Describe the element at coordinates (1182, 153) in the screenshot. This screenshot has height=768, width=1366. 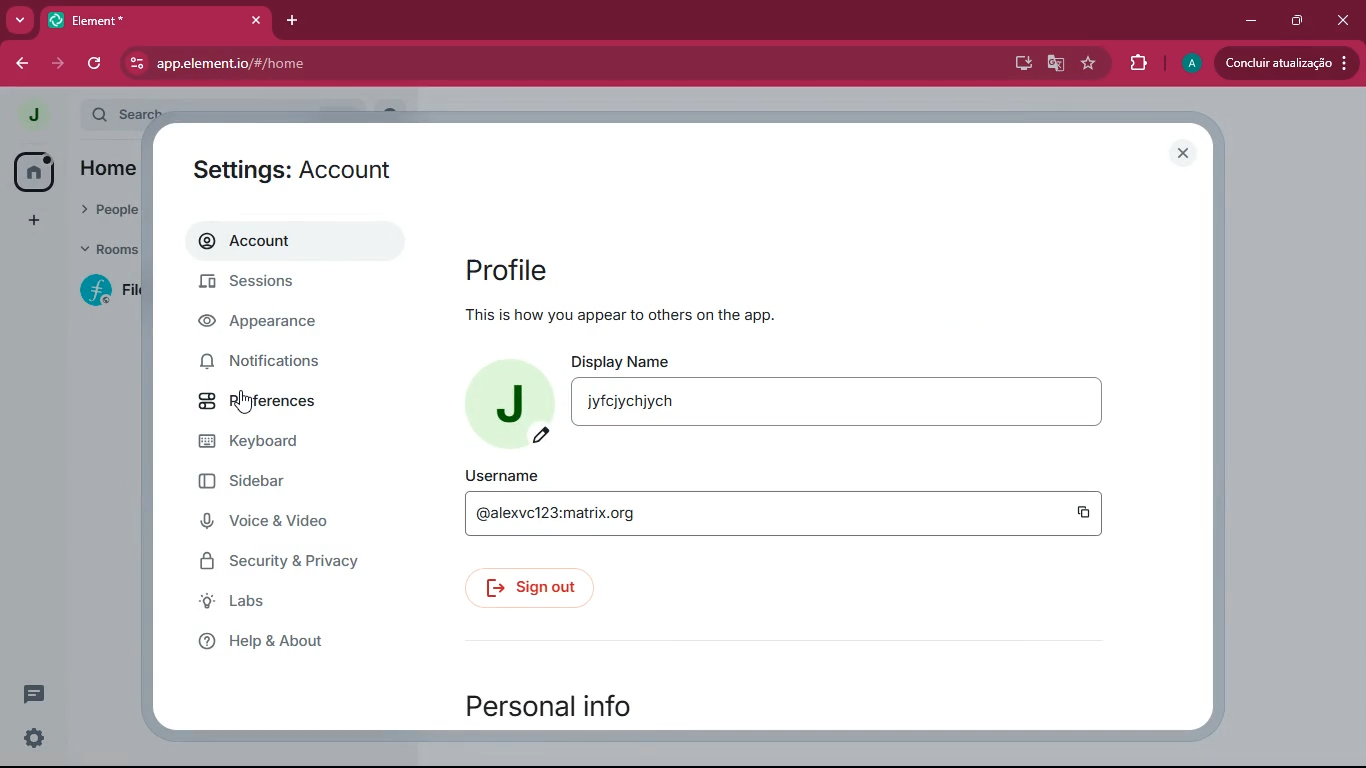
I see `close` at that location.